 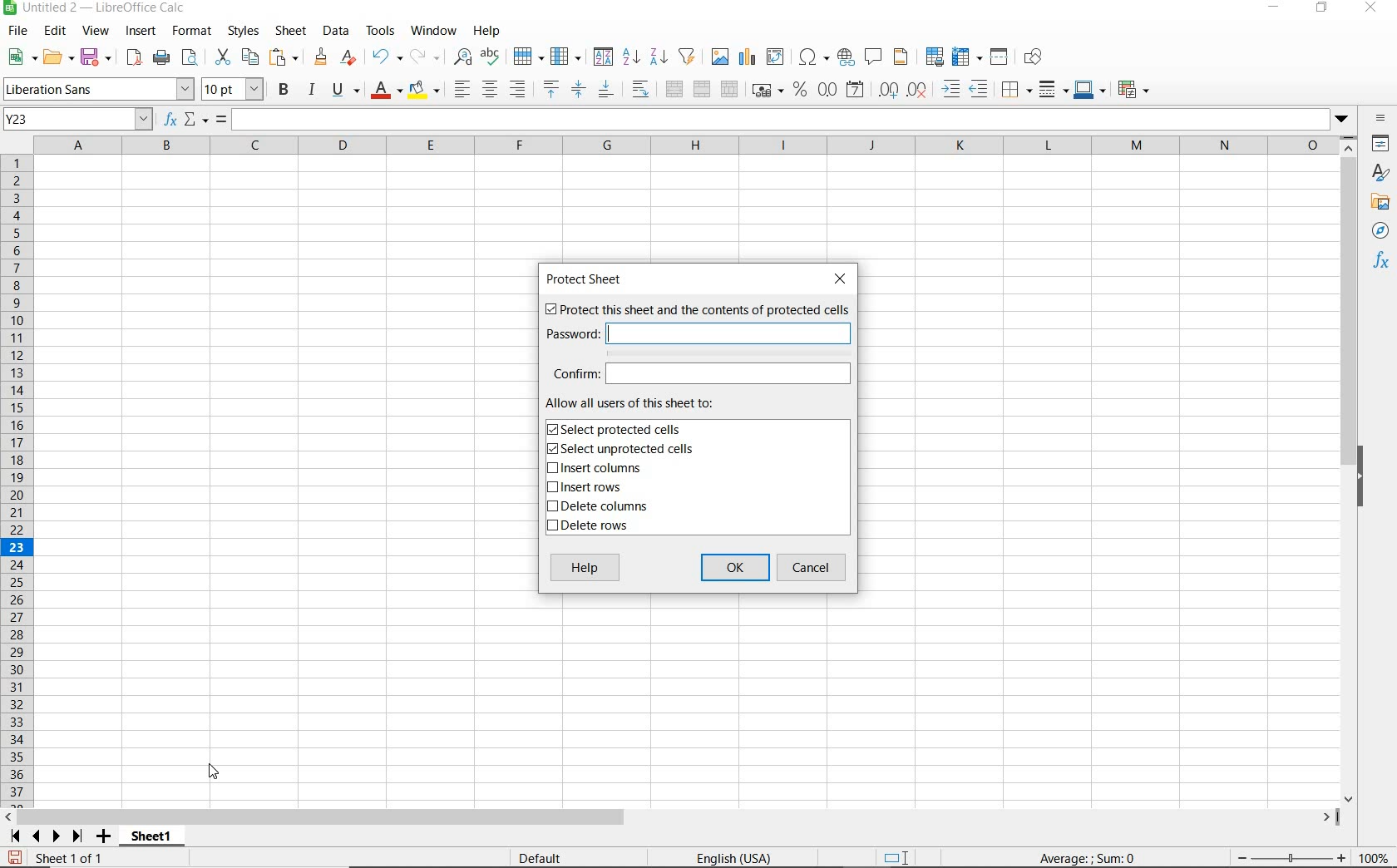 I want to click on REDO, so click(x=423, y=55).